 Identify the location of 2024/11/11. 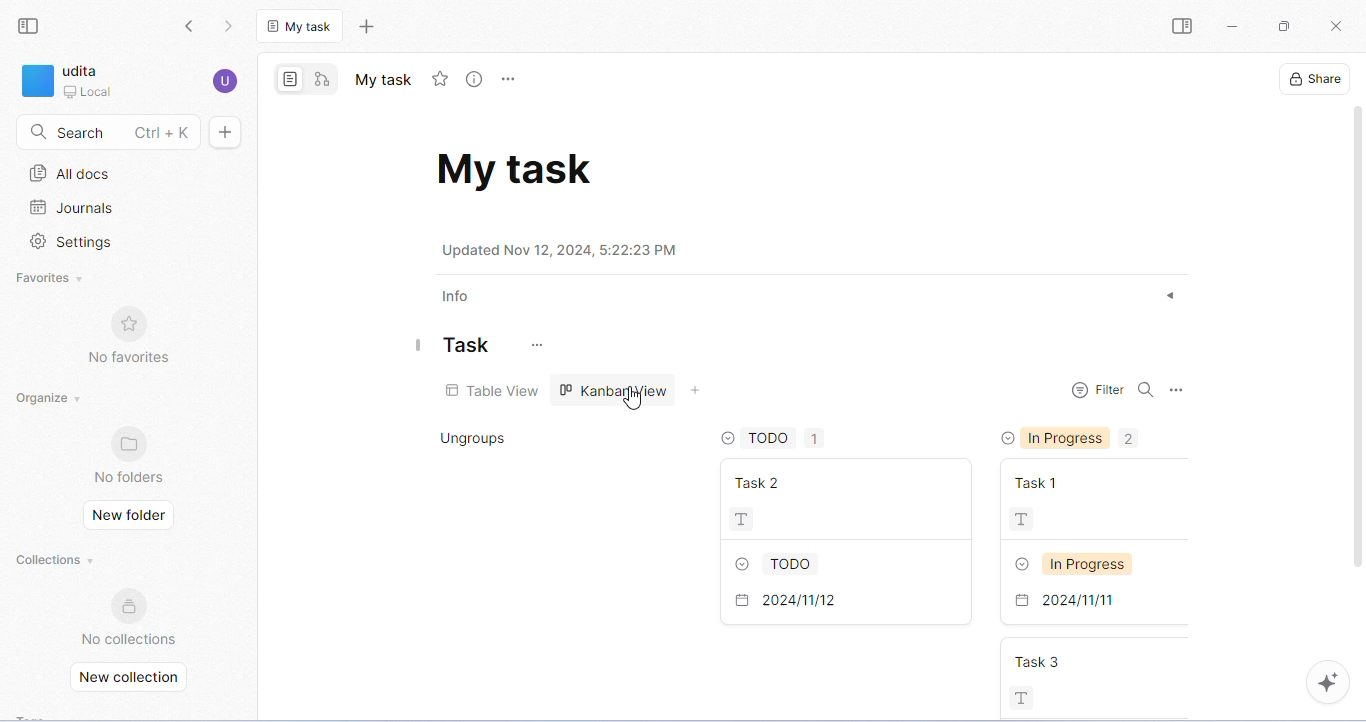
(1098, 602).